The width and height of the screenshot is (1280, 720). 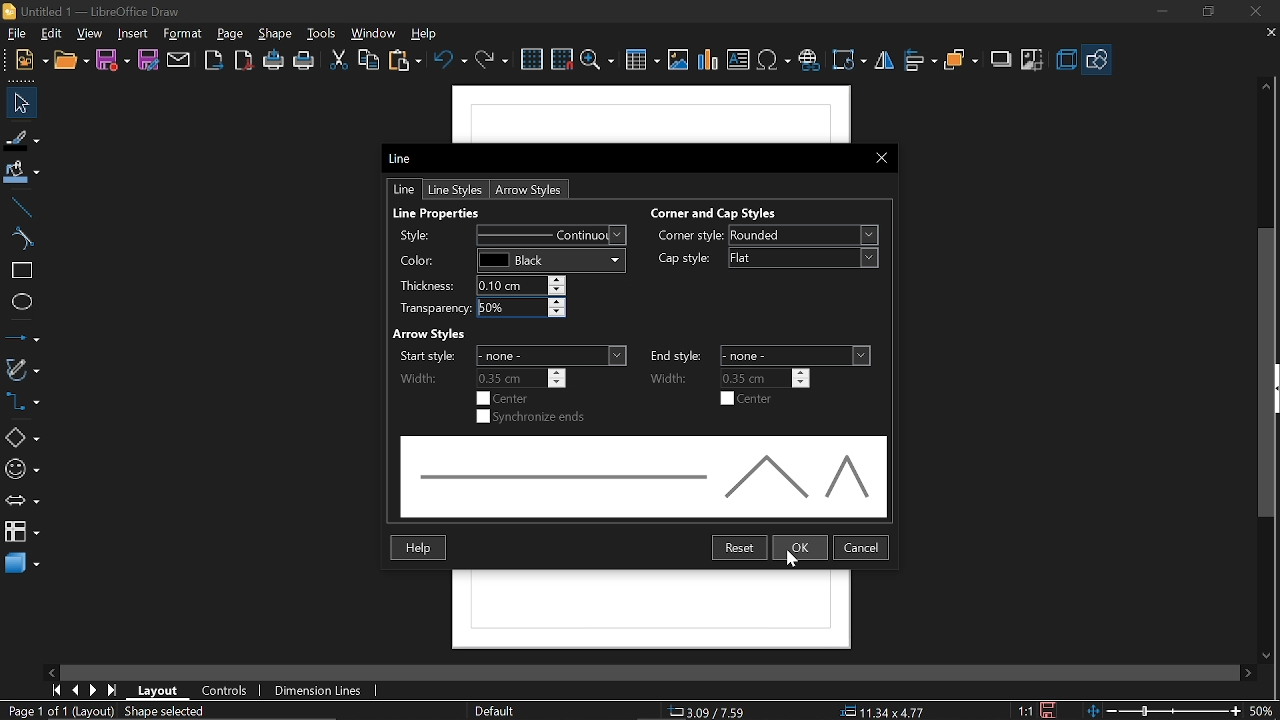 What do you see at coordinates (1096, 58) in the screenshot?
I see `shapes` at bounding box center [1096, 58].